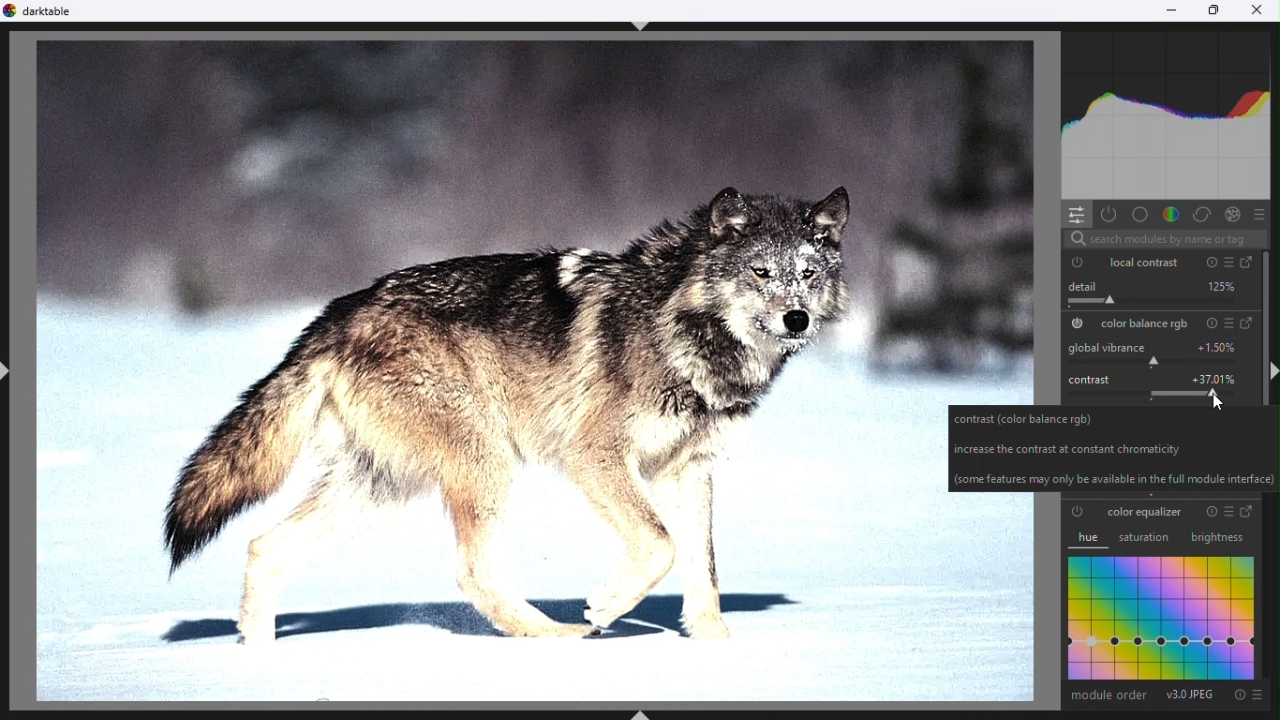  I want to click on shift+ctrl+l, so click(11, 368).